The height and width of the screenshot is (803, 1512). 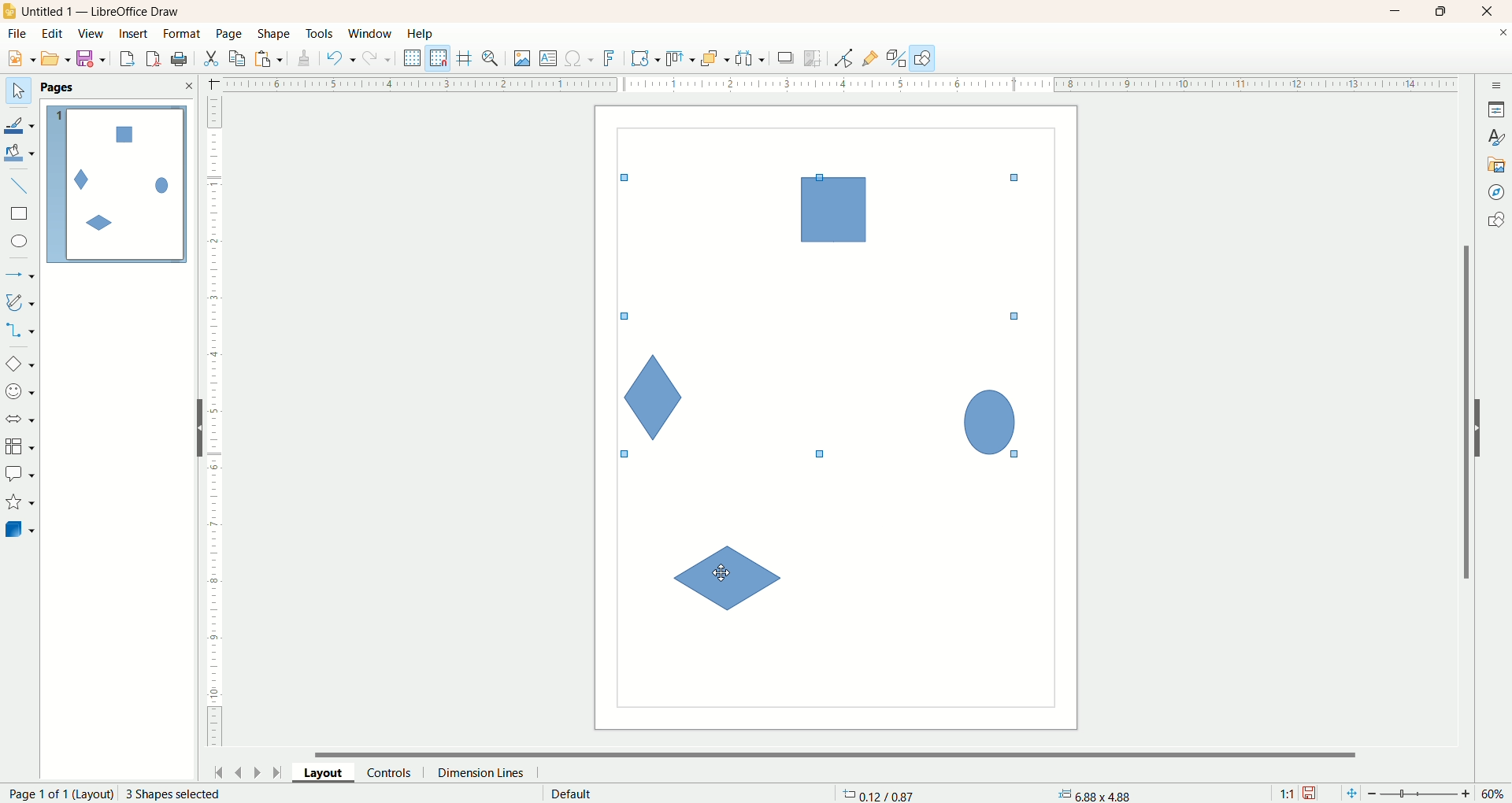 I want to click on stars and banners, so click(x=19, y=501).